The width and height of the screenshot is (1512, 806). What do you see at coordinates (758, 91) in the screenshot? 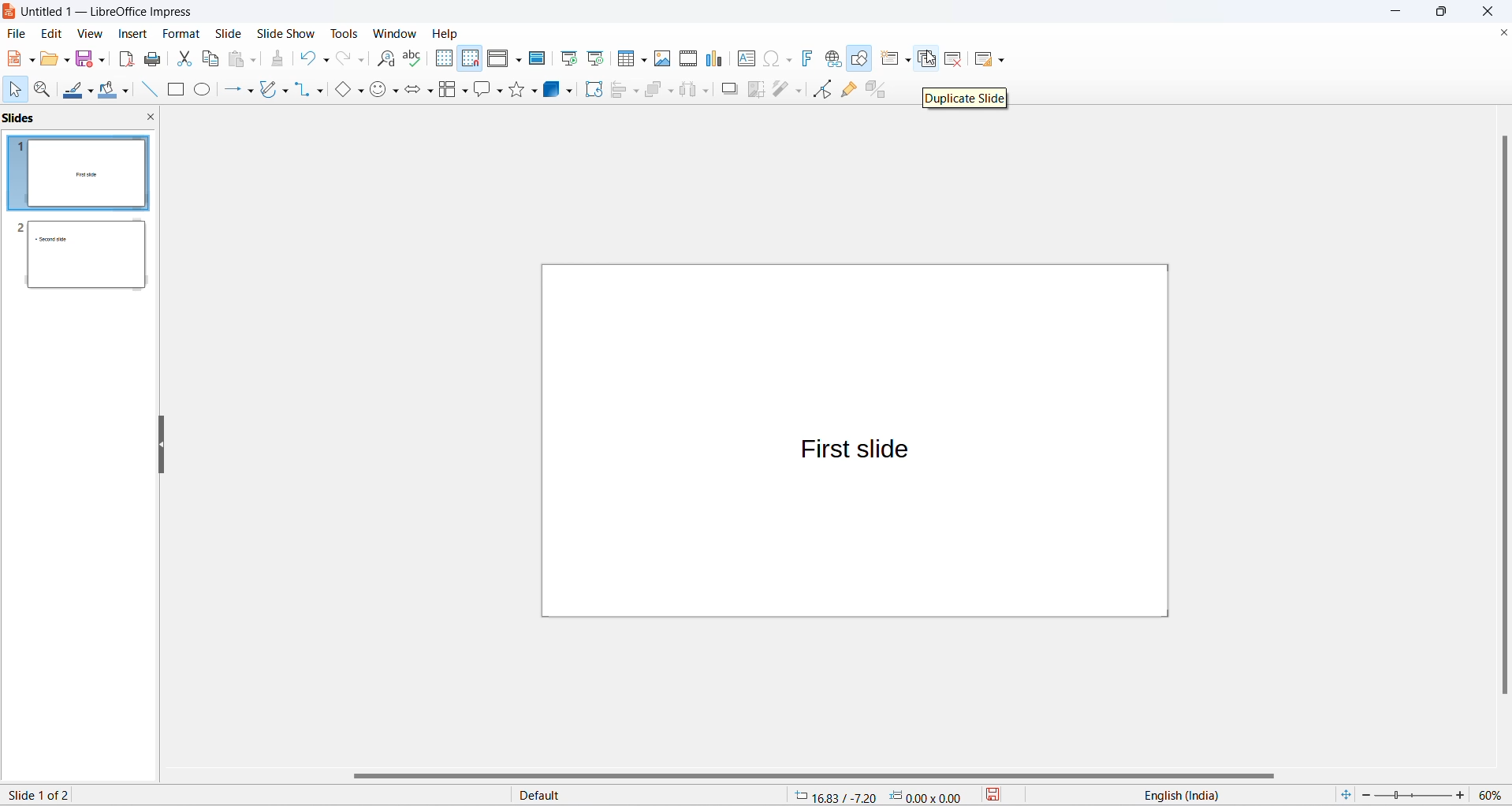
I see `crop image ` at bounding box center [758, 91].